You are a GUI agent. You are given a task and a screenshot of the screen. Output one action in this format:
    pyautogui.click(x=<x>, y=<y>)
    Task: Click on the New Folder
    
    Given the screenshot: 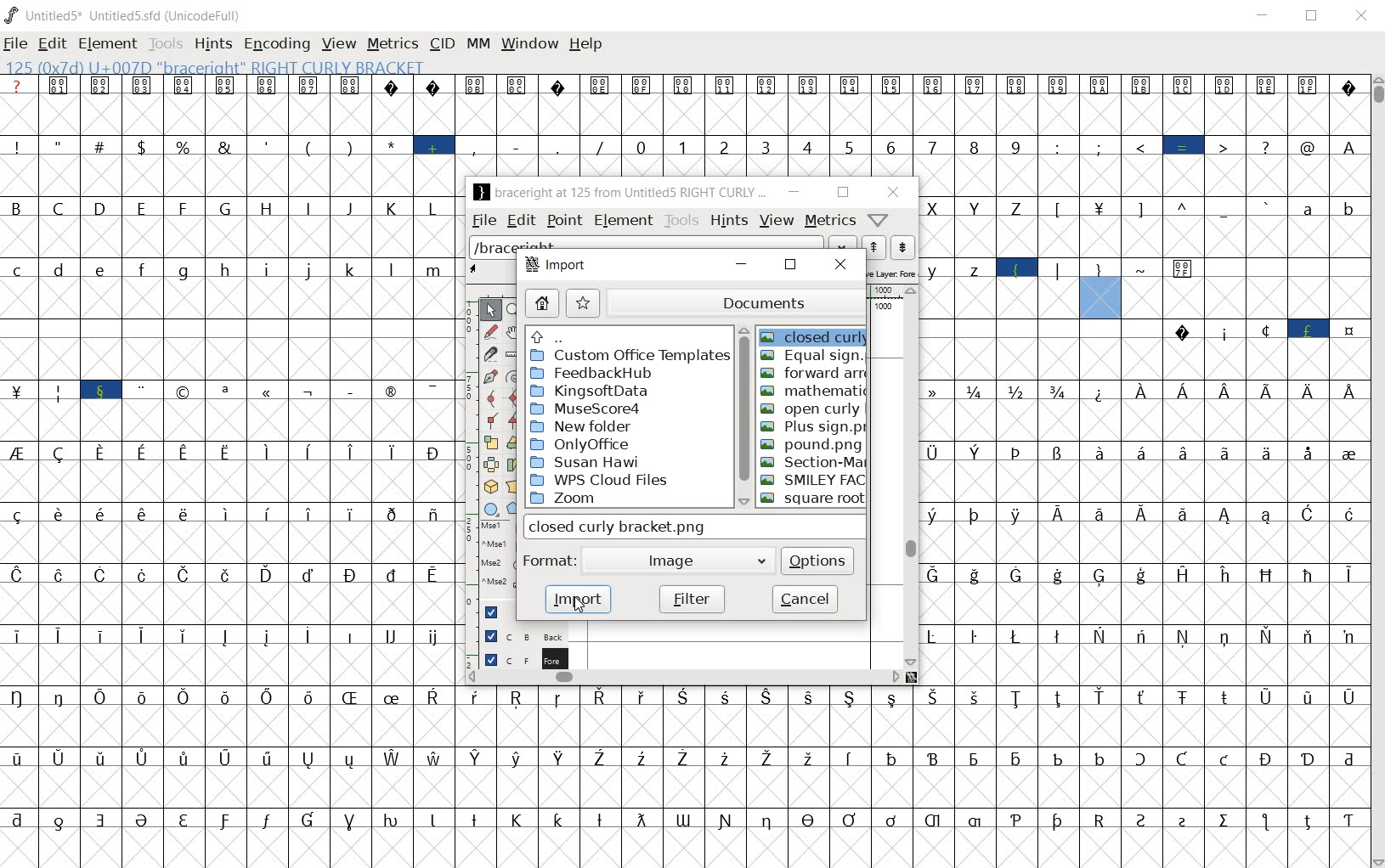 What is the action you would take?
    pyautogui.click(x=581, y=426)
    